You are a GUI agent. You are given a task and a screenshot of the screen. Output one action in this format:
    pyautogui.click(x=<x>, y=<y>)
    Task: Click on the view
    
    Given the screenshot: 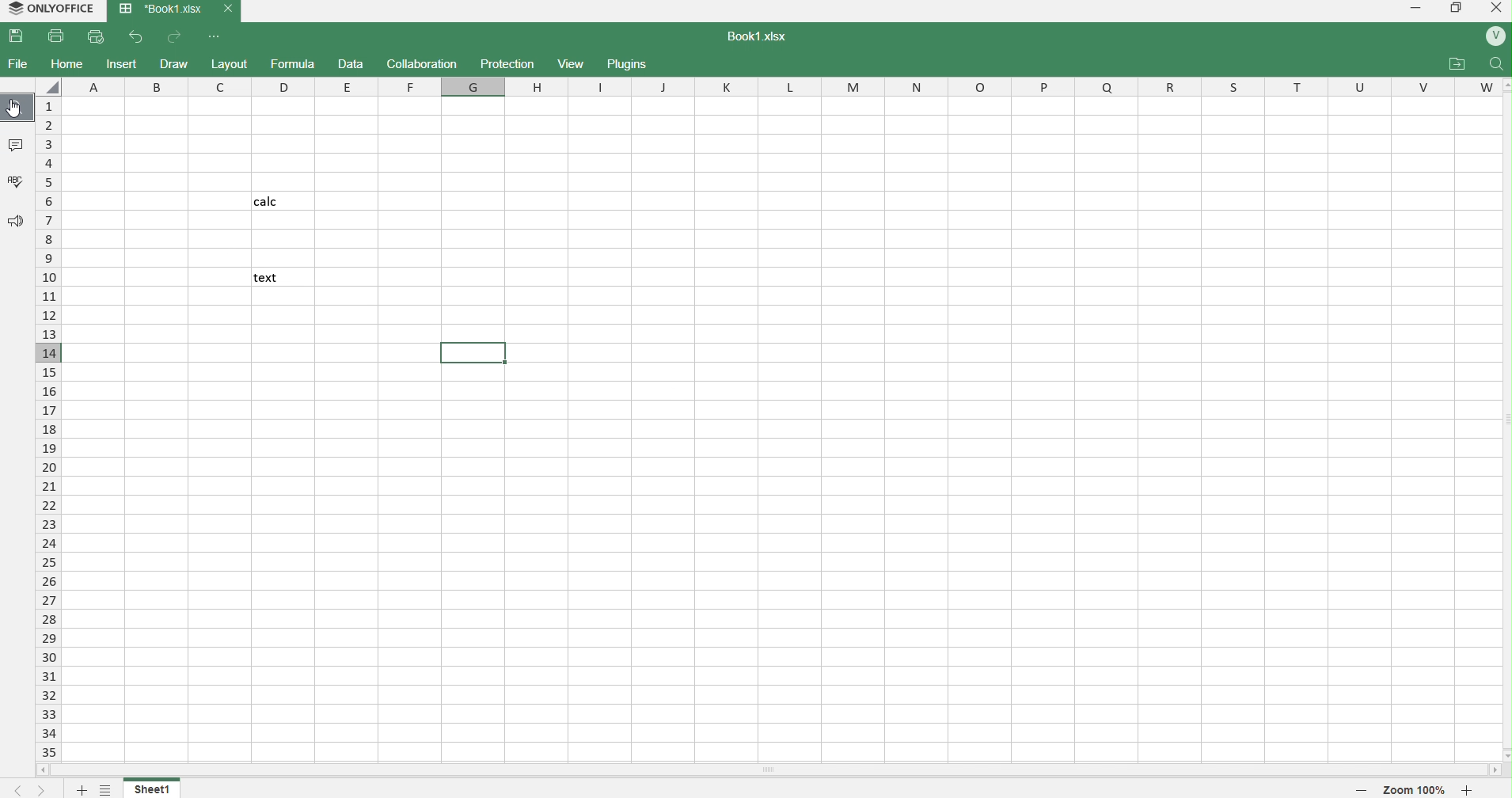 What is the action you would take?
    pyautogui.click(x=574, y=63)
    